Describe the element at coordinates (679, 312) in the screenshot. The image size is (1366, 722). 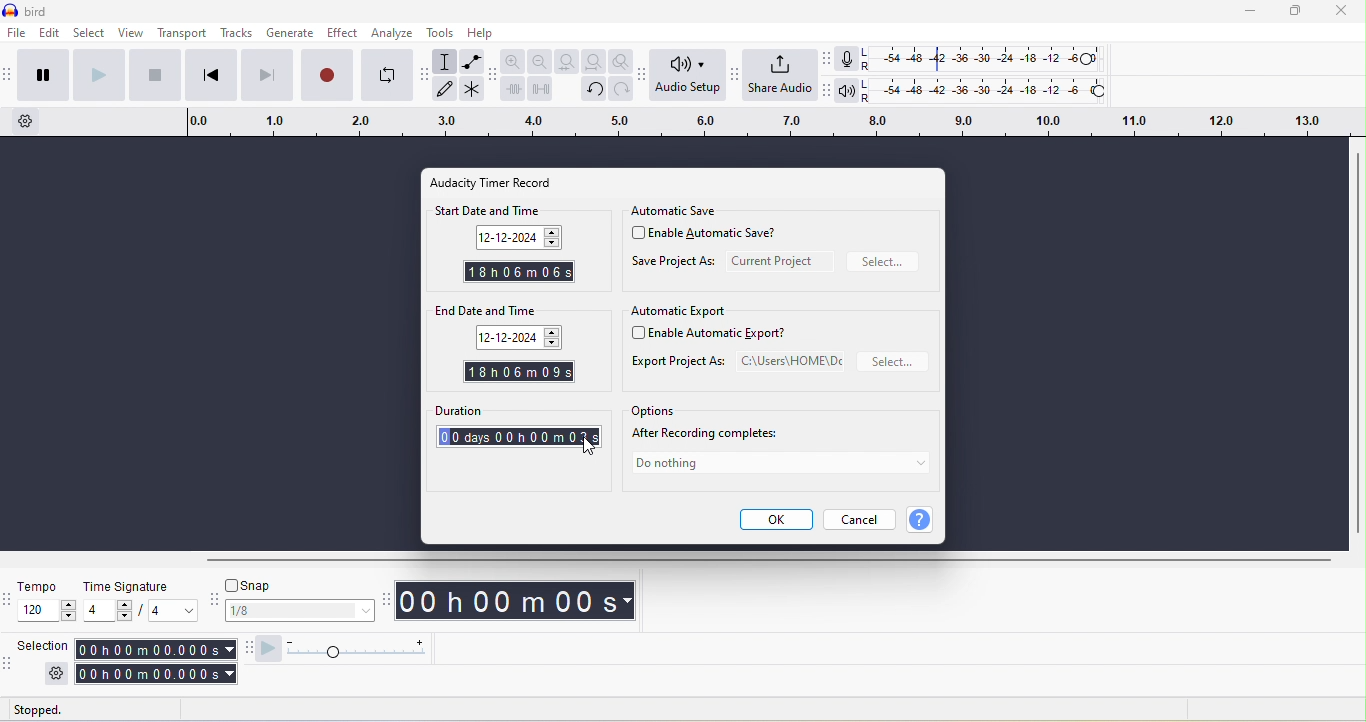
I see `automatic export` at that location.